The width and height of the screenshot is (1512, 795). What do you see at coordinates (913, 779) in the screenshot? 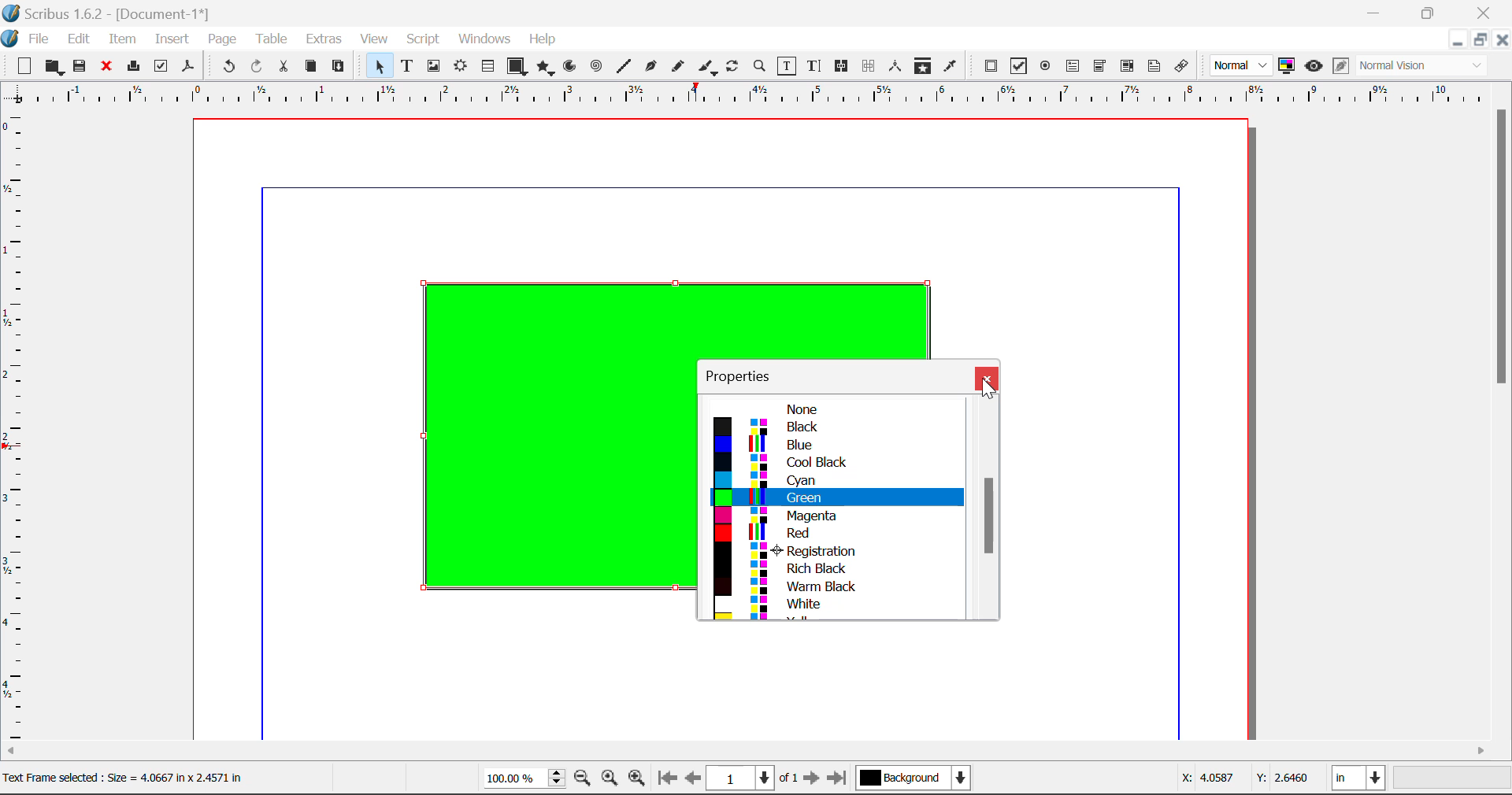
I see `Background` at bounding box center [913, 779].